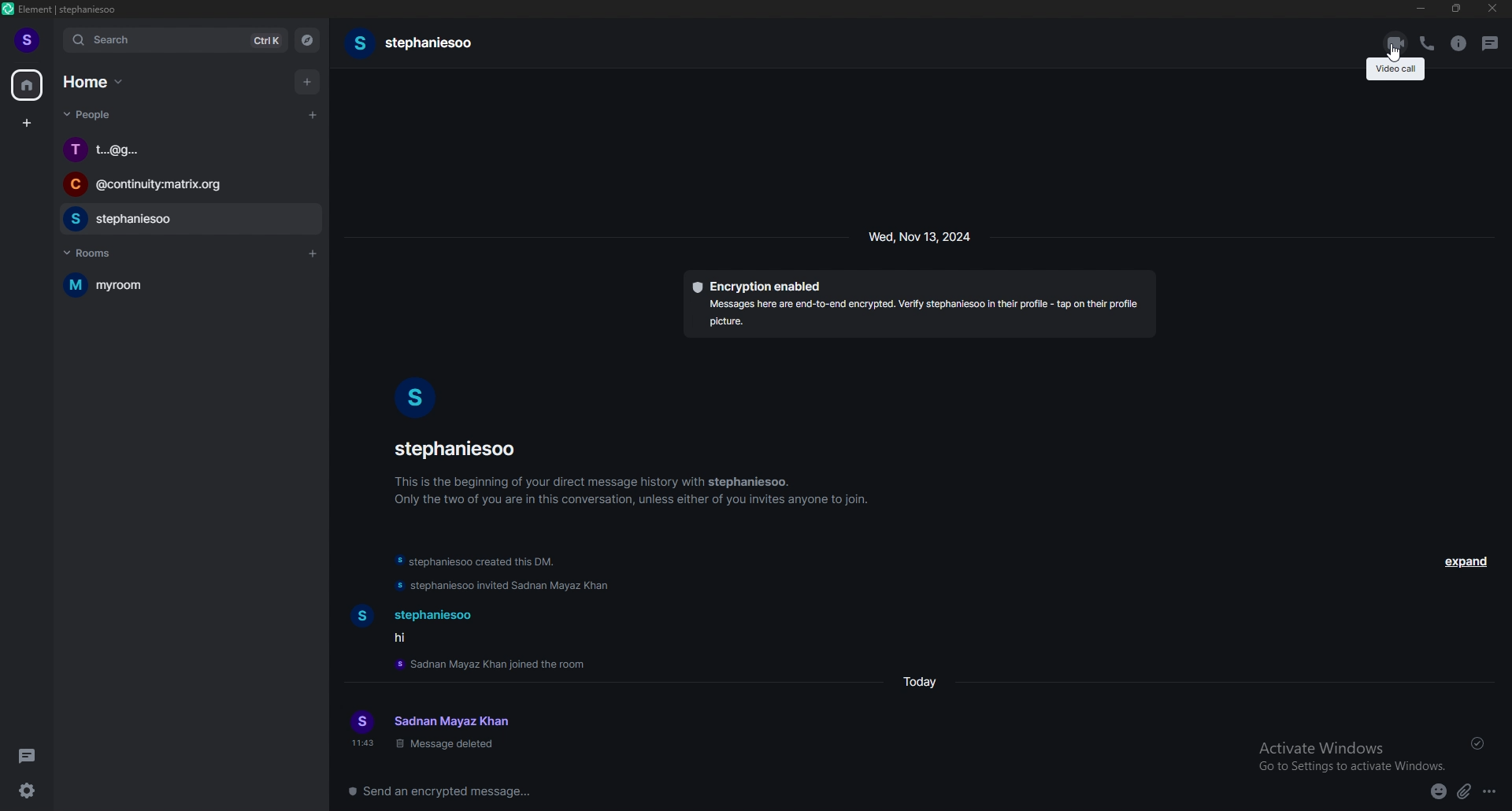  What do you see at coordinates (1465, 792) in the screenshot?
I see `attachment` at bounding box center [1465, 792].